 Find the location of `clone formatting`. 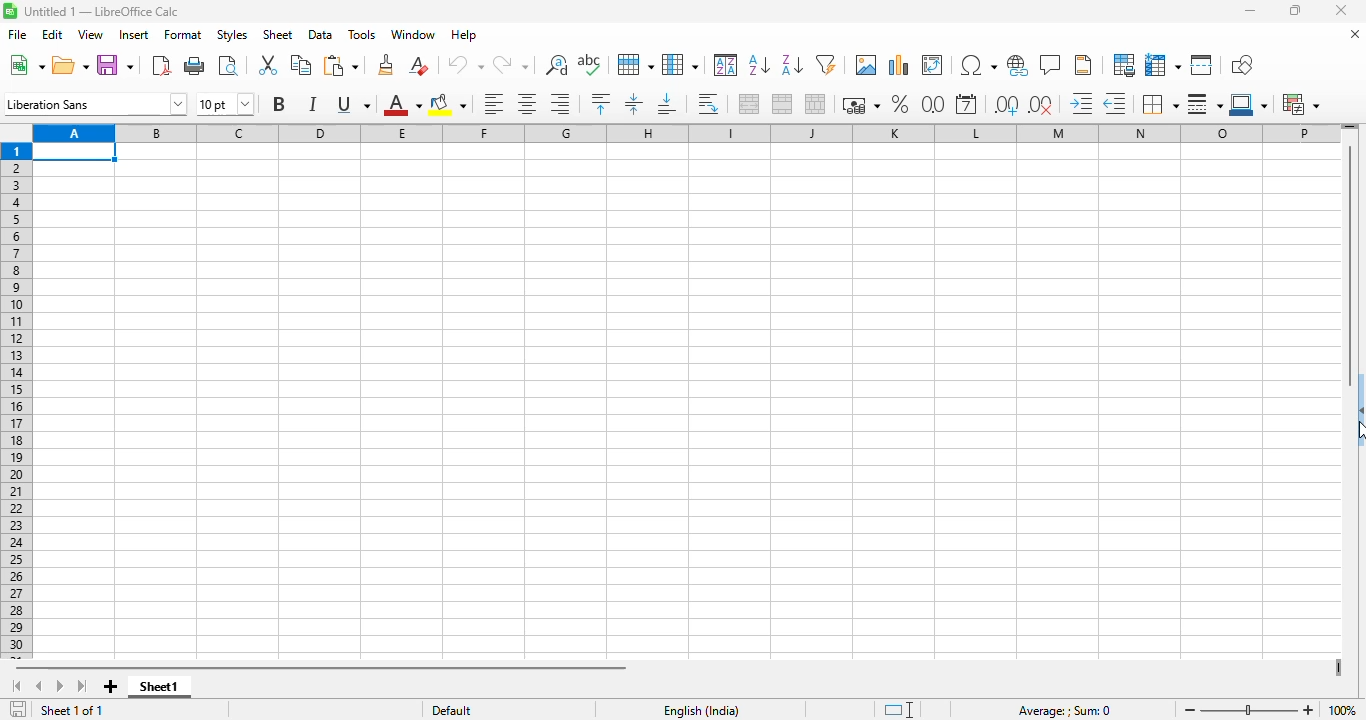

clone formatting is located at coordinates (386, 65).